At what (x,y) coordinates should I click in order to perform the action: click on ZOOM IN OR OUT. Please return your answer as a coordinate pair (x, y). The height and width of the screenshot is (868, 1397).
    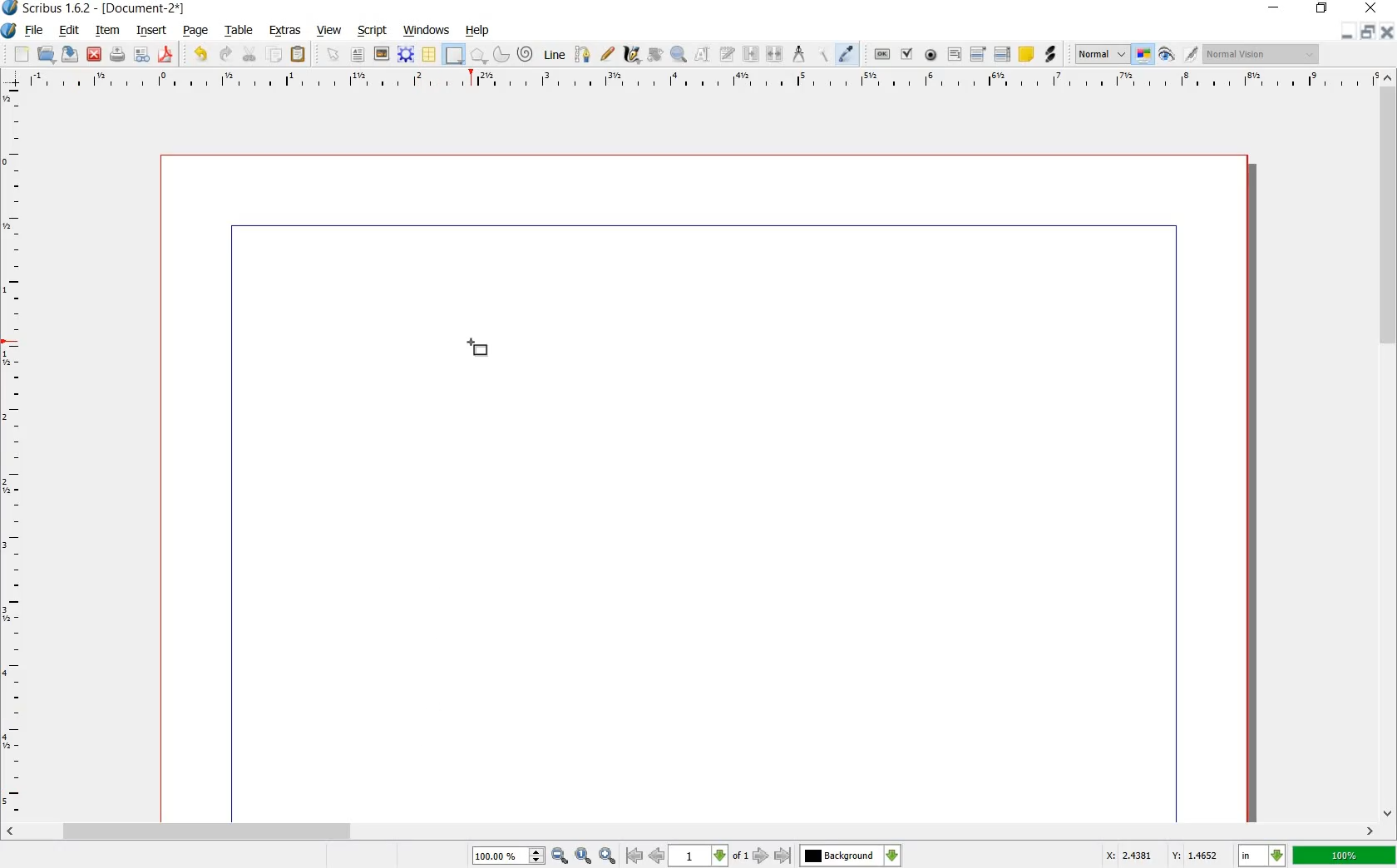
    Looking at the image, I should click on (680, 52).